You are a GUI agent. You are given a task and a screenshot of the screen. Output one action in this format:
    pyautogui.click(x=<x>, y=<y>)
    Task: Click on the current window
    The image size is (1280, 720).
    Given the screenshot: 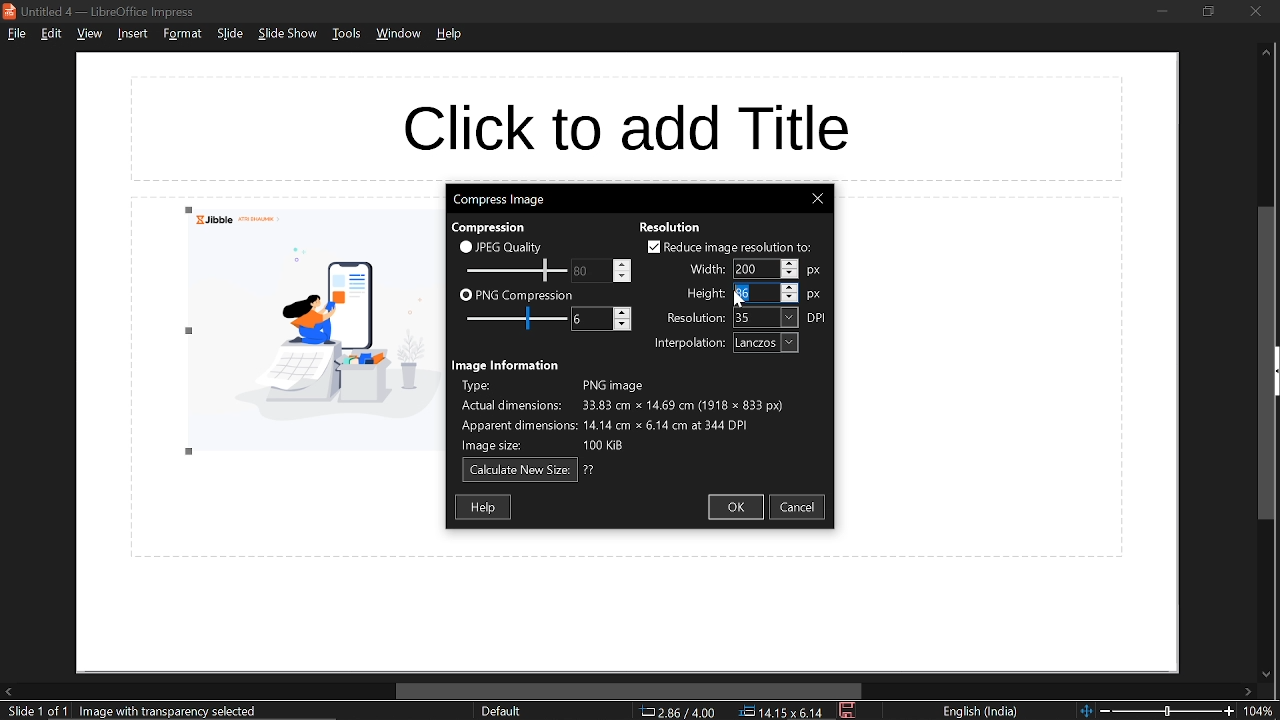 What is the action you would take?
    pyautogui.click(x=104, y=11)
    